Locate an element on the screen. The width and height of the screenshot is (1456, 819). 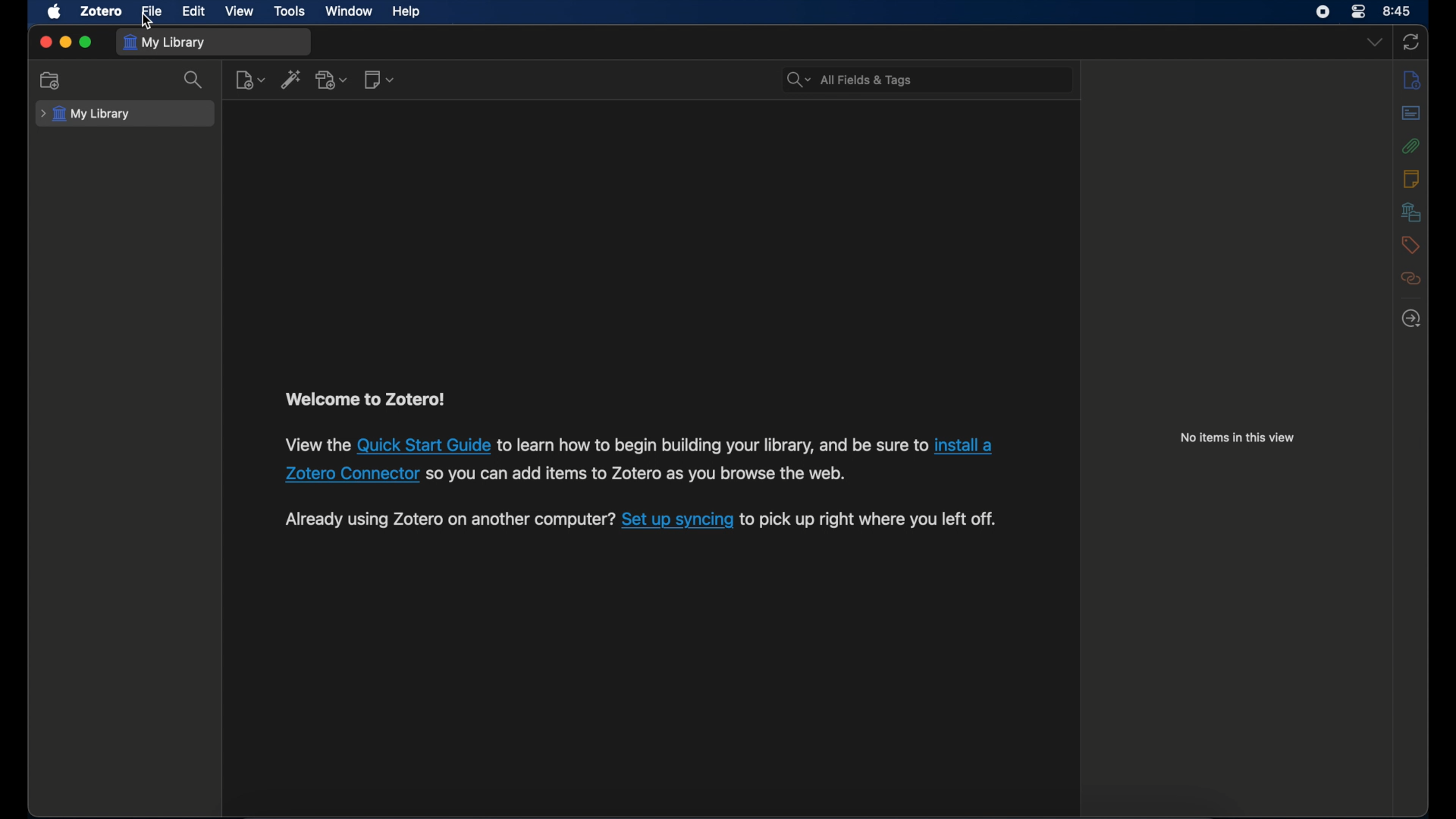
edit is located at coordinates (192, 12).